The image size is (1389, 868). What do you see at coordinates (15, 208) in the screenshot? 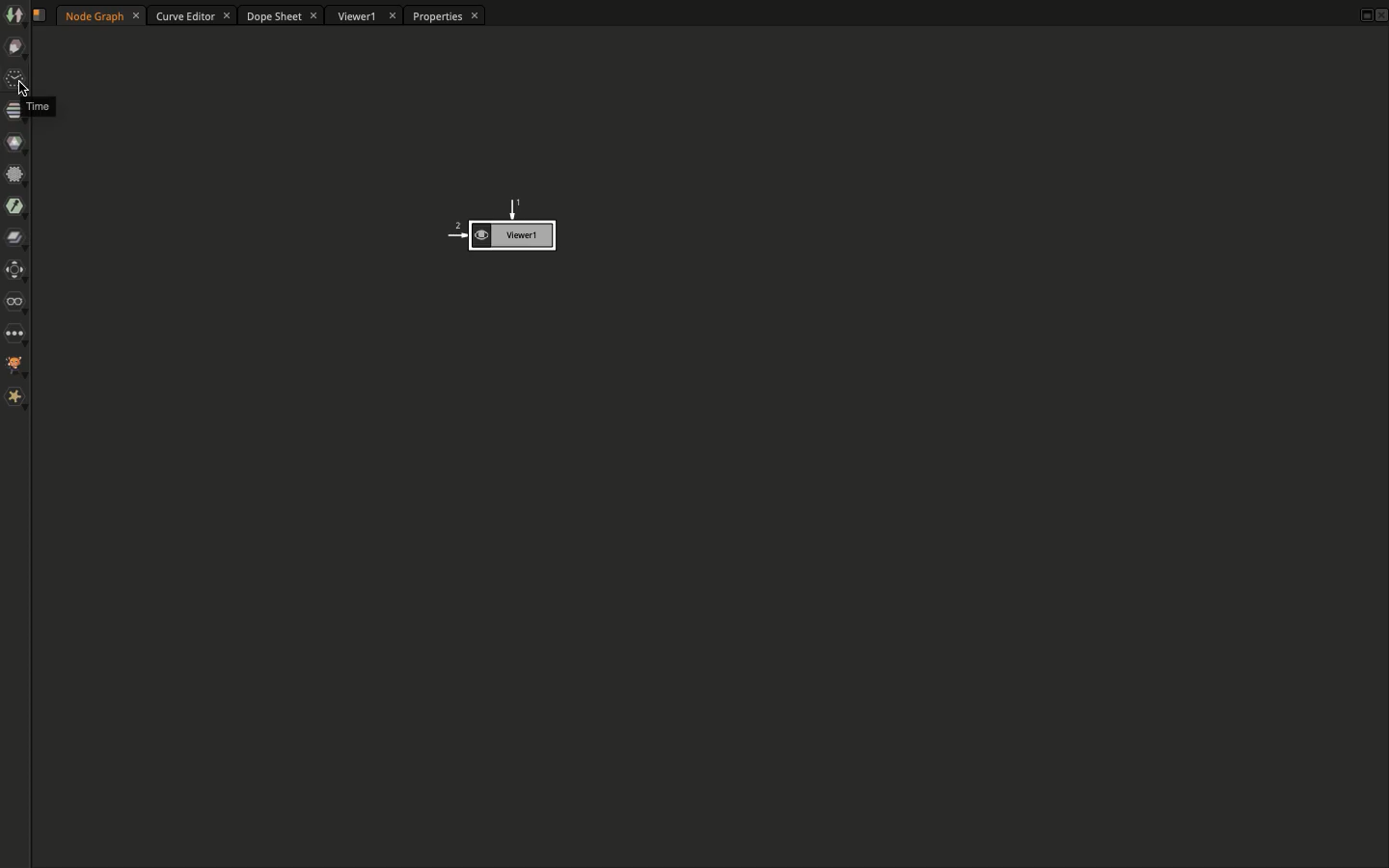
I see `Keyer` at bounding box center [15, 208].